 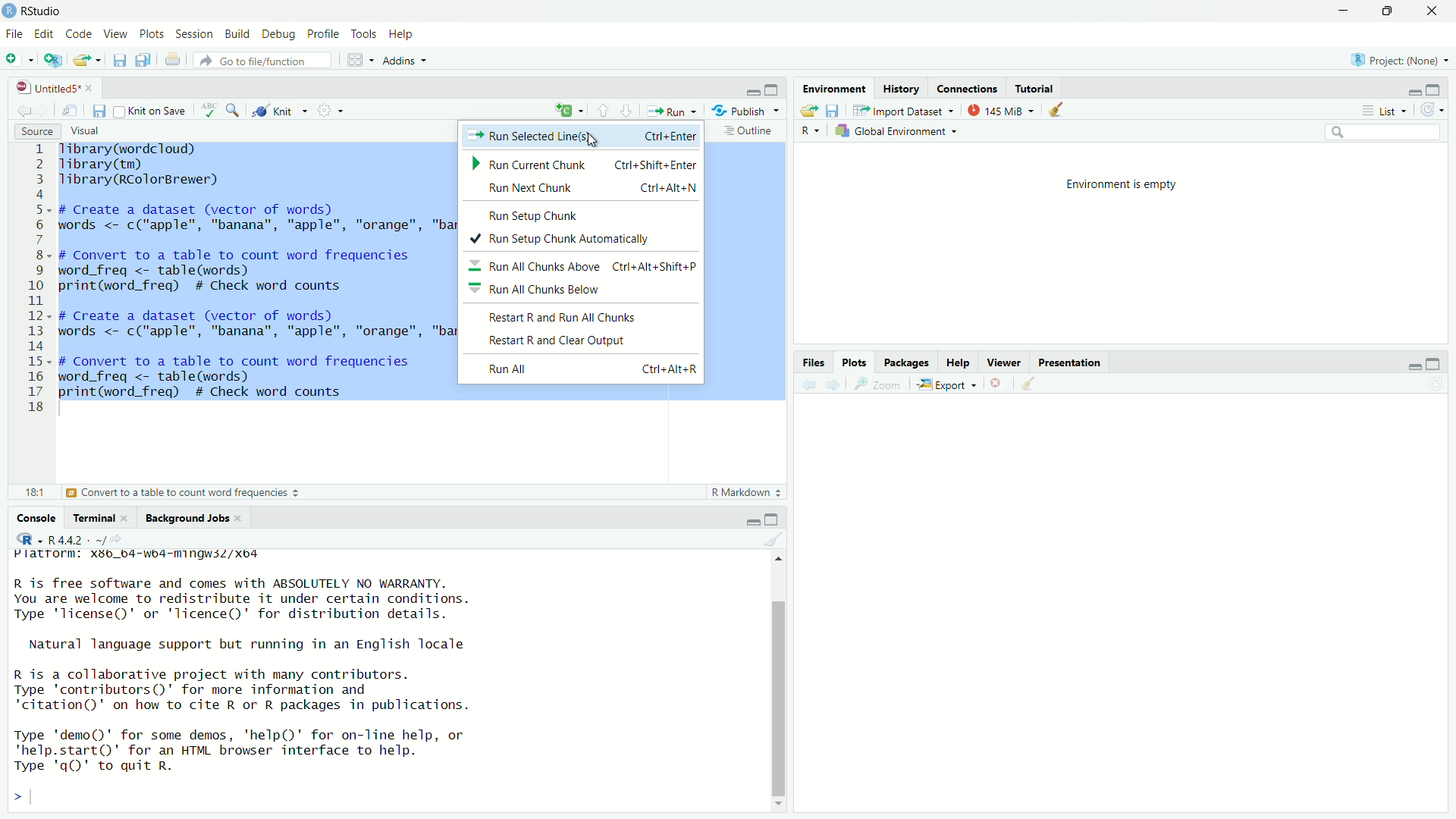 I want to click on File, so click(x=13, y=33).